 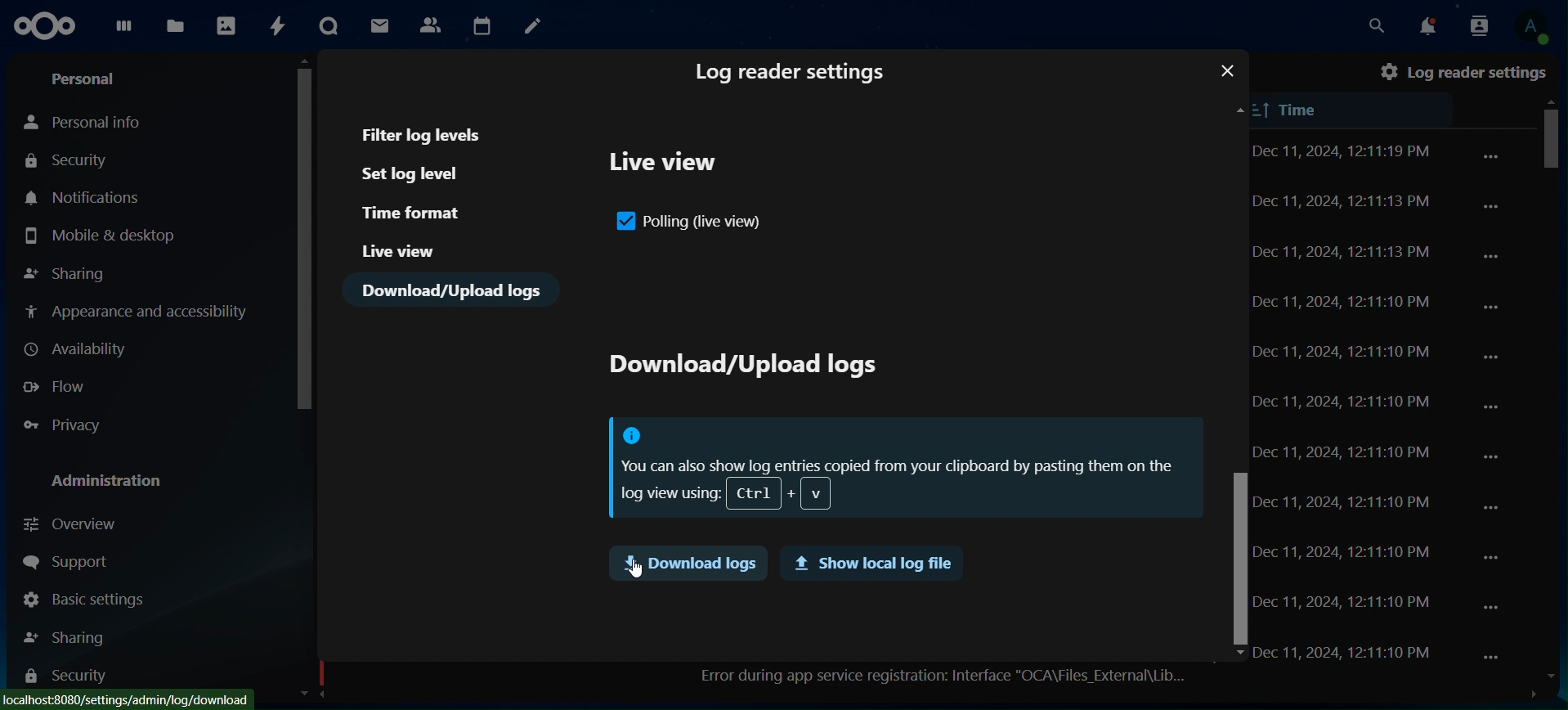 I want to click on notifications, so click(x=85, y=197).